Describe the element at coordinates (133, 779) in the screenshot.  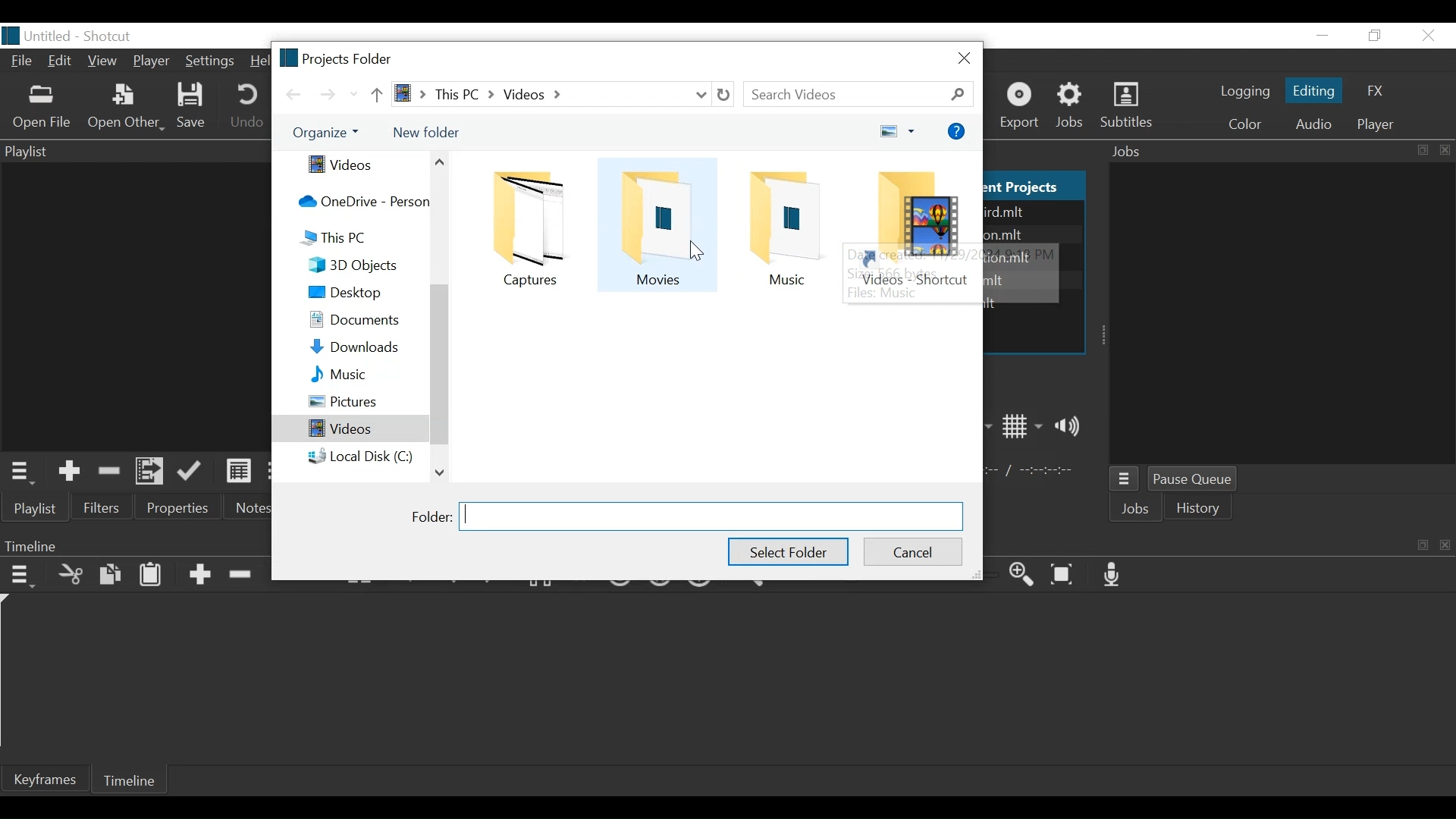
I see `Timeline` at that location.